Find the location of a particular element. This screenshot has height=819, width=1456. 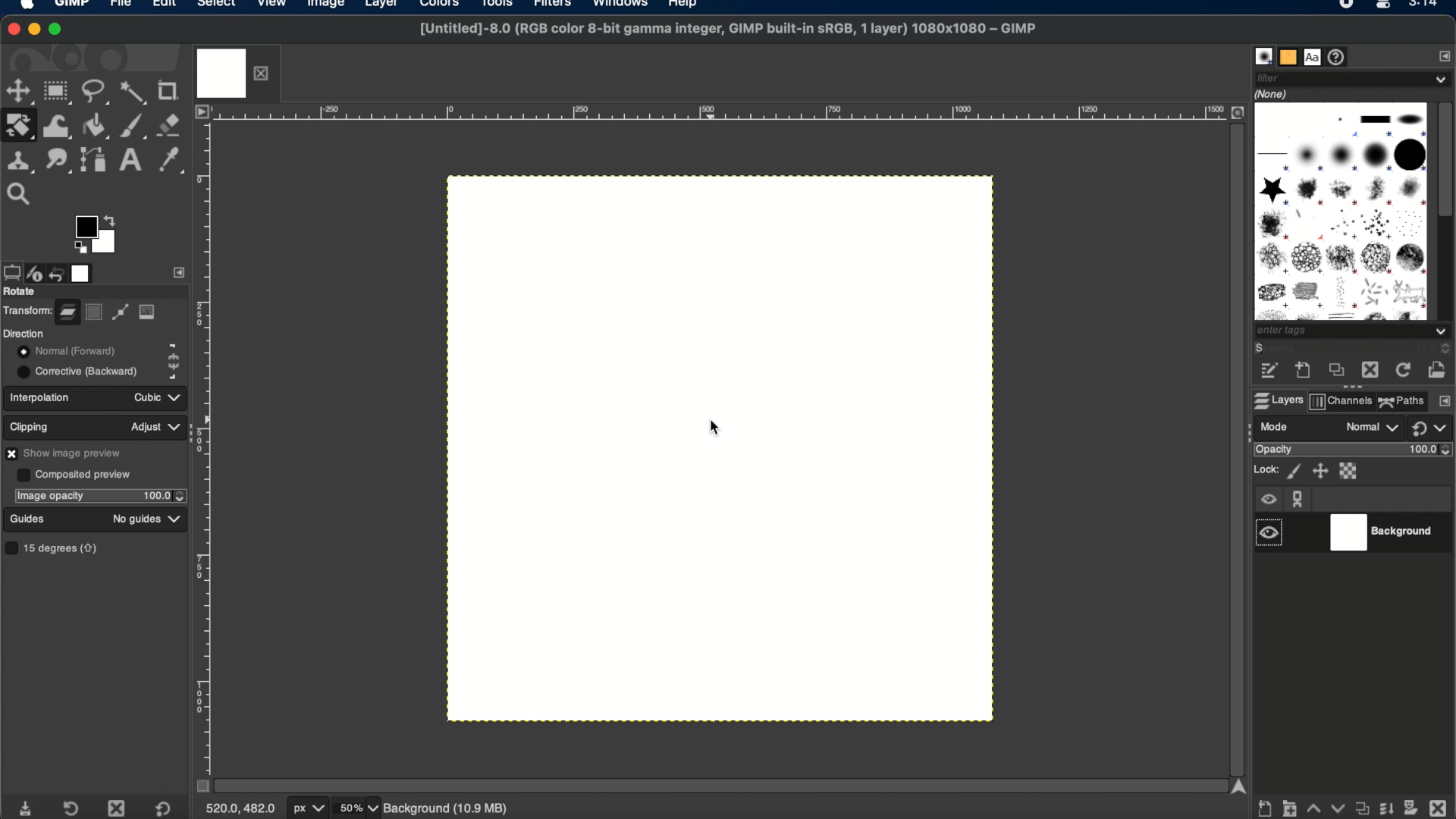

paintbrush tool is located at coordinates (134, 124).